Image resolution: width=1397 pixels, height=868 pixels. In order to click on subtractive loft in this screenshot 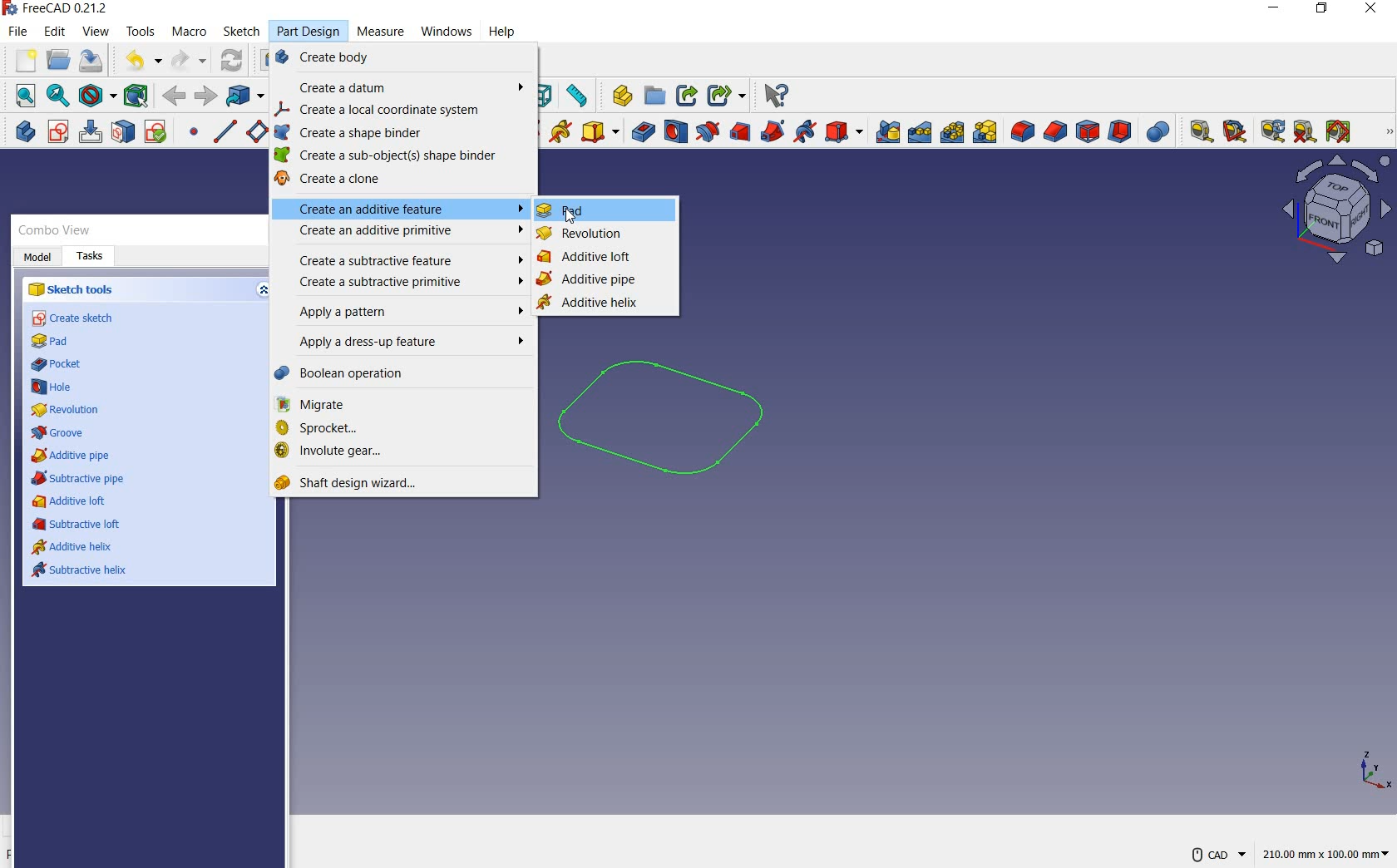, I will do `click(739, 131)`.